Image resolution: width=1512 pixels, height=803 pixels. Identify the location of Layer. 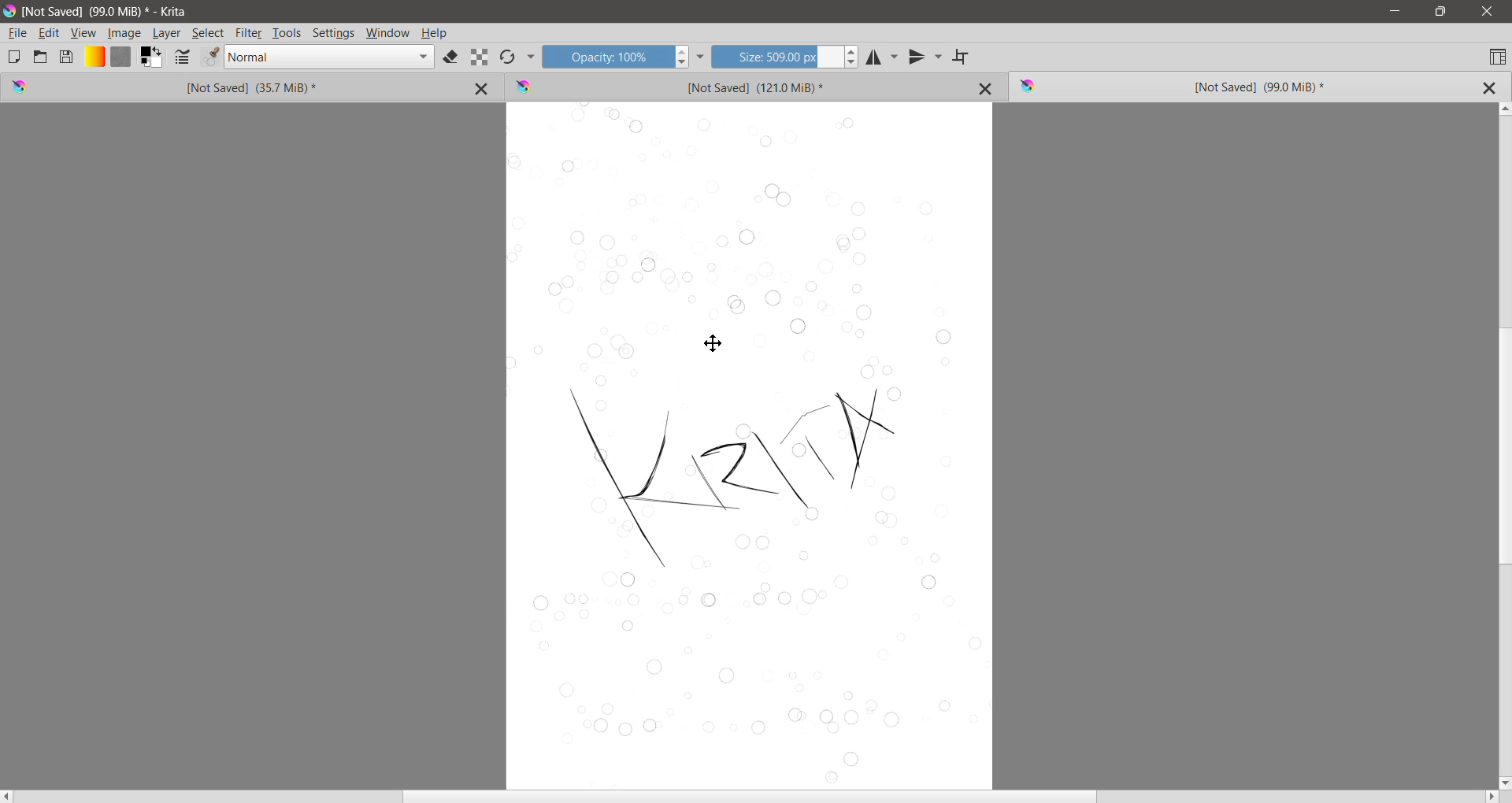
(168, 33).